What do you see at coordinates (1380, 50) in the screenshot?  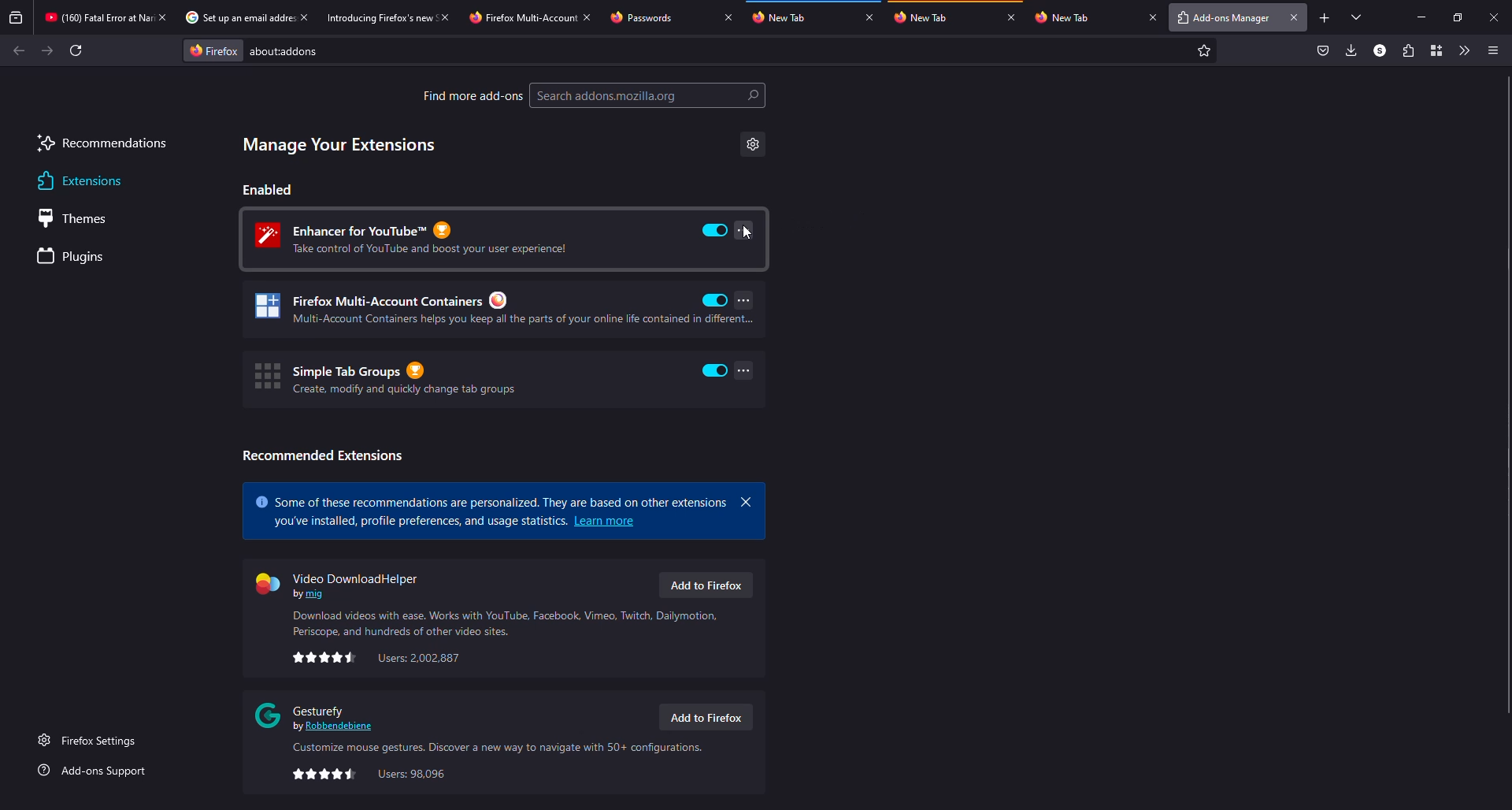 I see `profile` at bounding box center [1380, 50].